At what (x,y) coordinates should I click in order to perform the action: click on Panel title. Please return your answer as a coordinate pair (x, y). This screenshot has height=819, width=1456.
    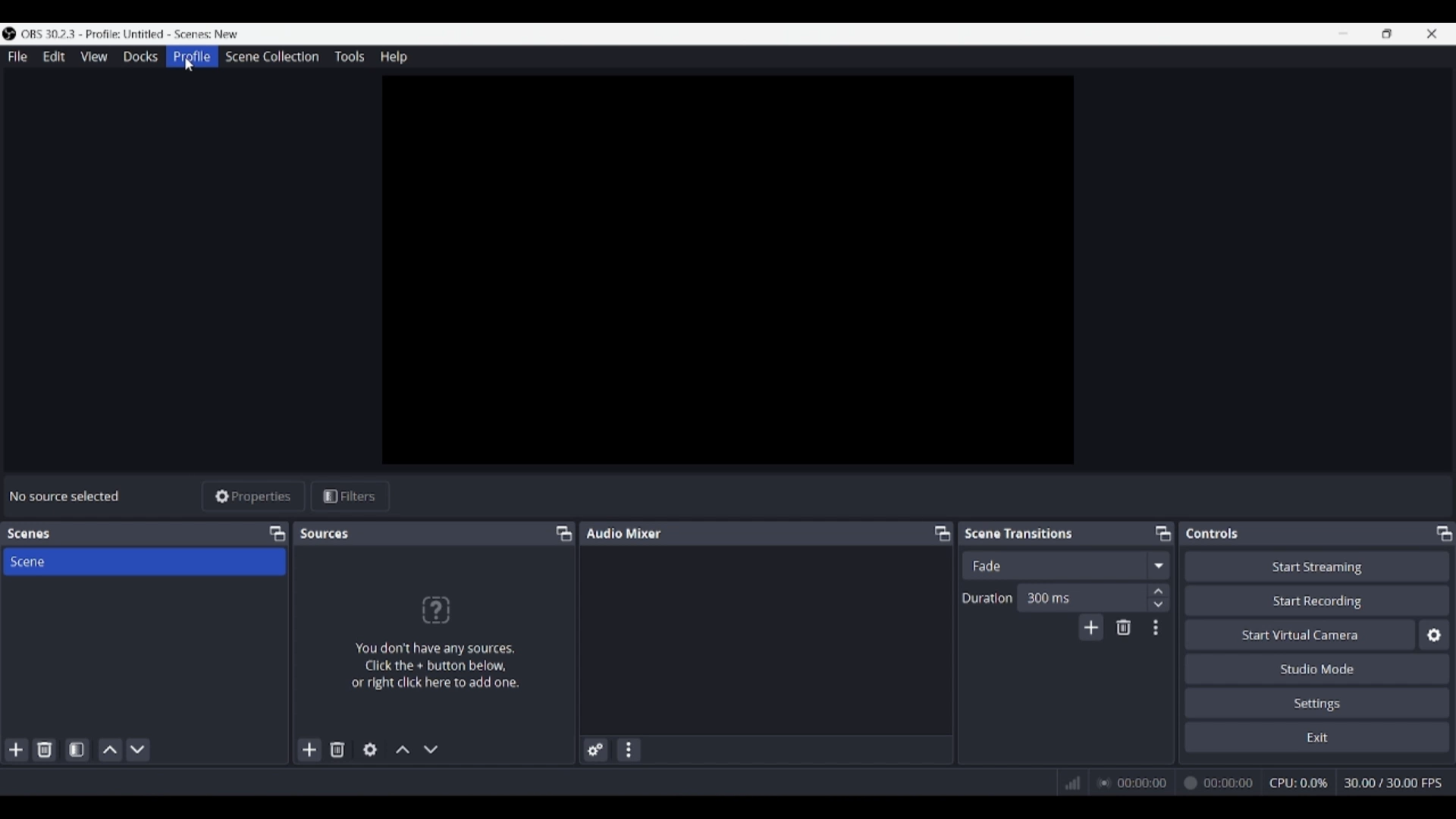
    Looking at the image, I should click on (29, 534).